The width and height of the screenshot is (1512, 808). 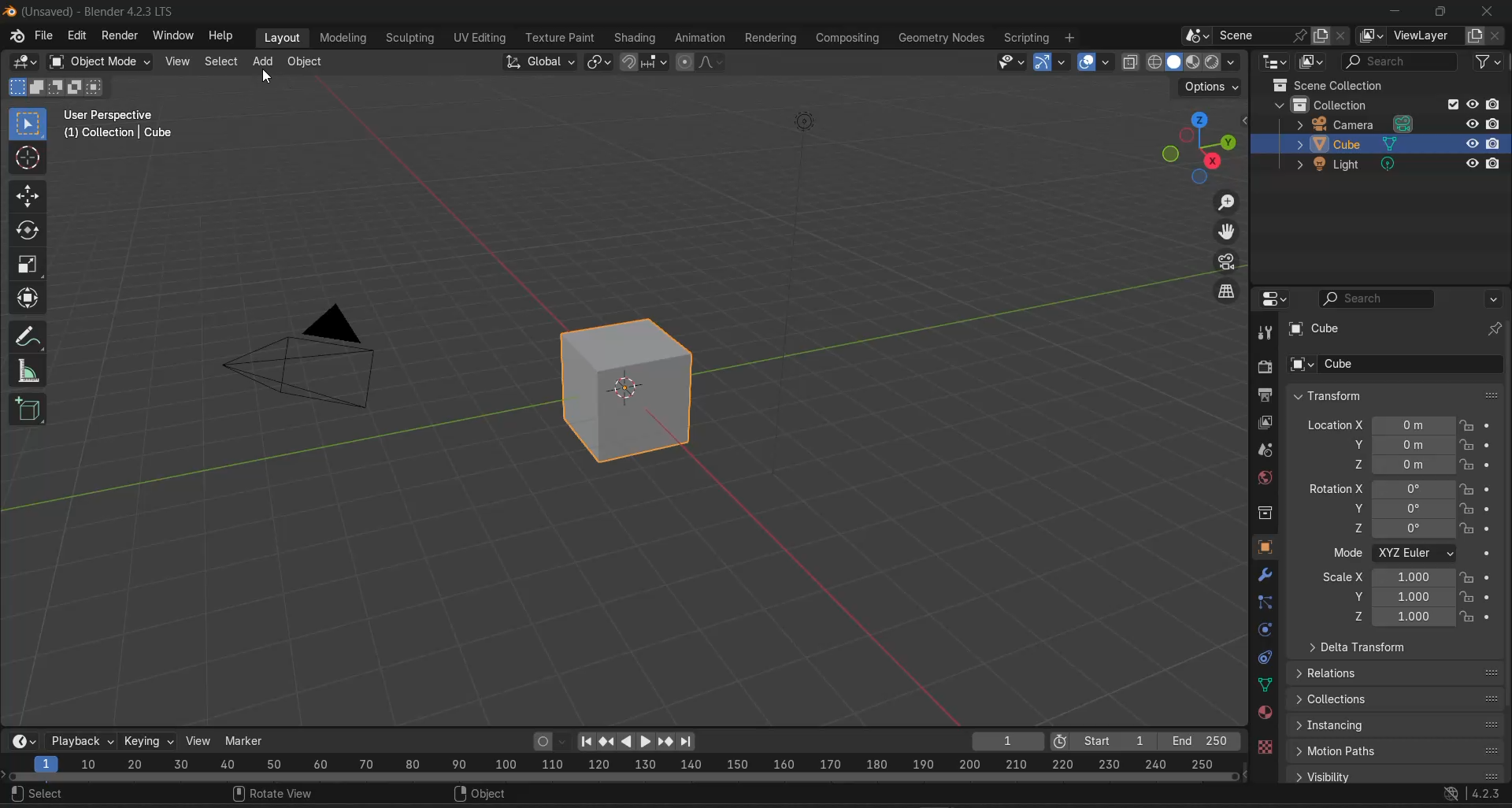 What do you see at coordinates (1266, 513) in the screenshot?
I see `collection` at bounding box center [1266, 513].